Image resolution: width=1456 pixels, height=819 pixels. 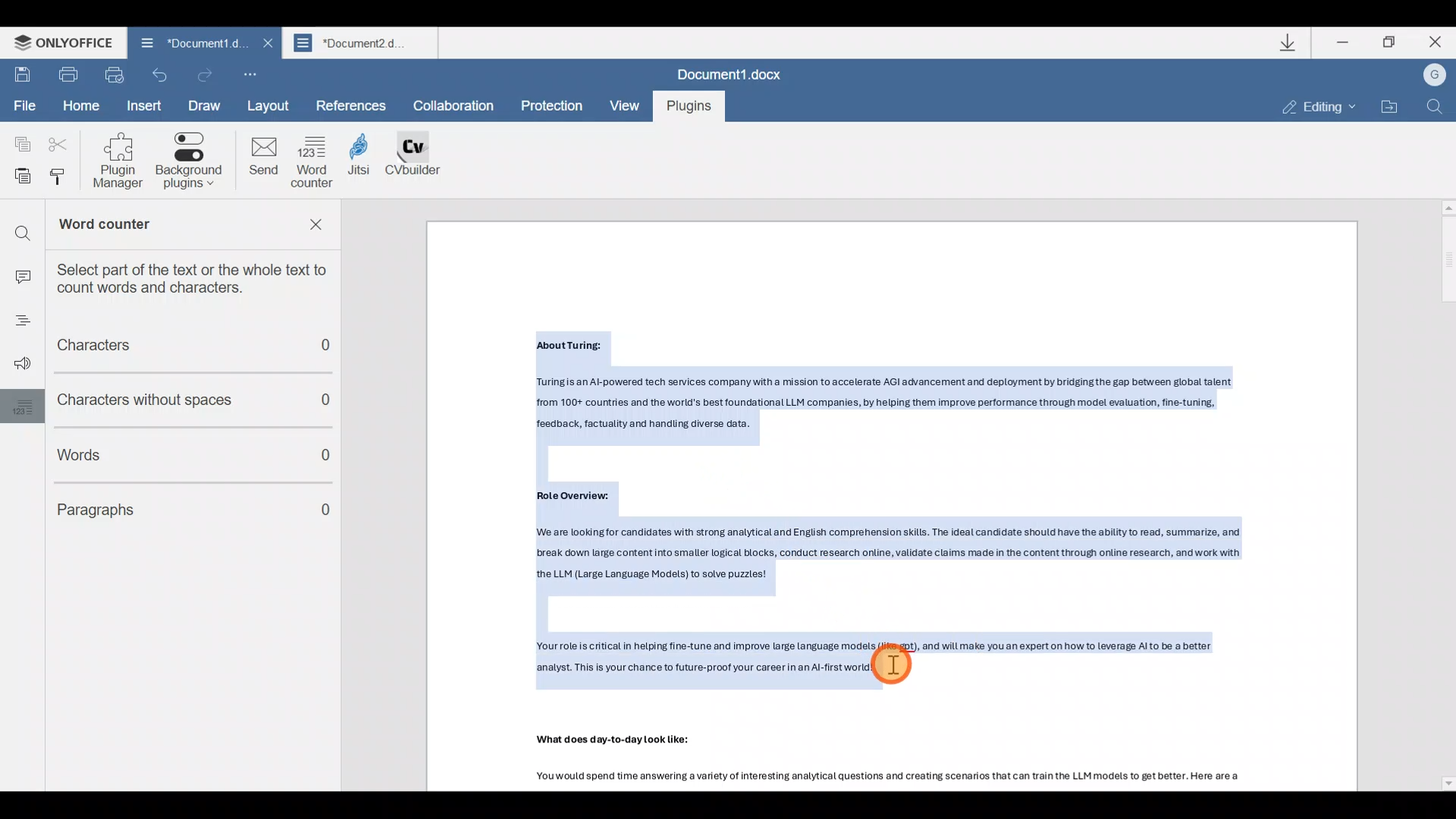 What do you see at coordinates (459, 106) in the screenshot?
I see `Collaboration` at bounding box center [459, 106].